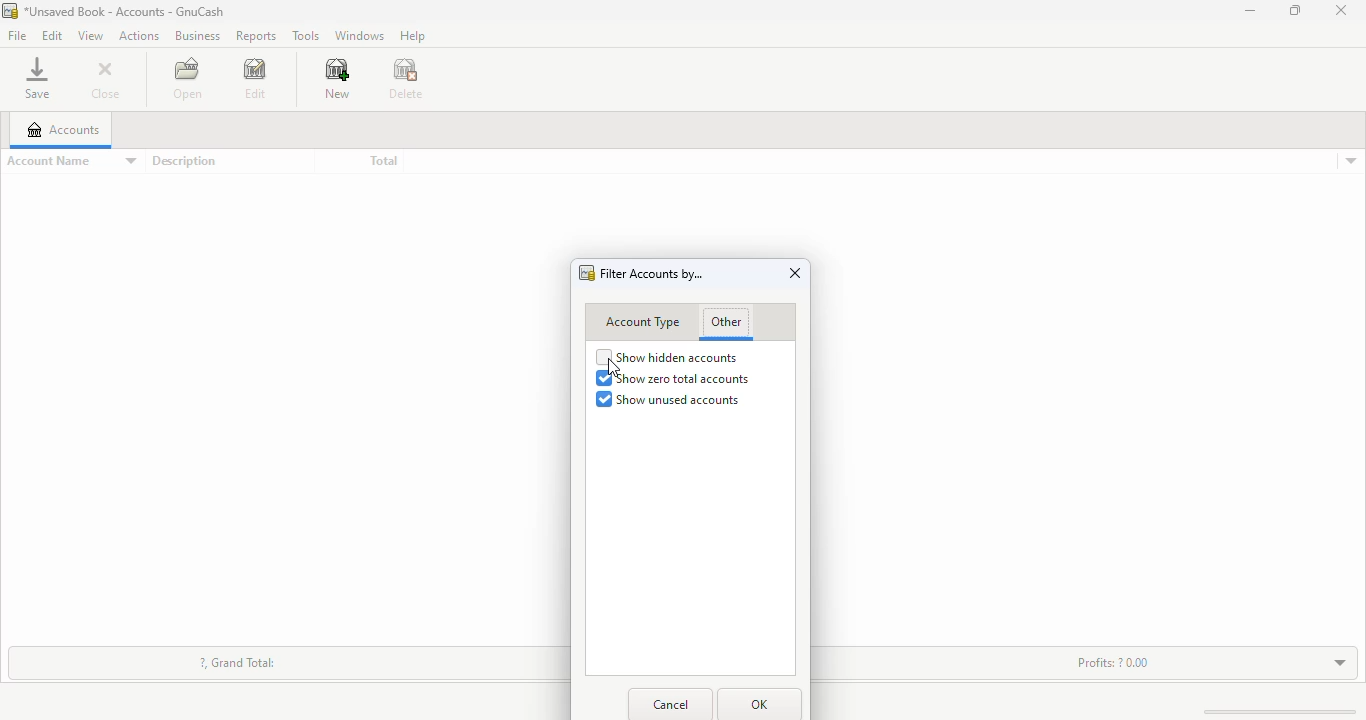  What do you see at coordinates (37, 78) in the screenshot?
I see `save` at bounding box center [37, 78].